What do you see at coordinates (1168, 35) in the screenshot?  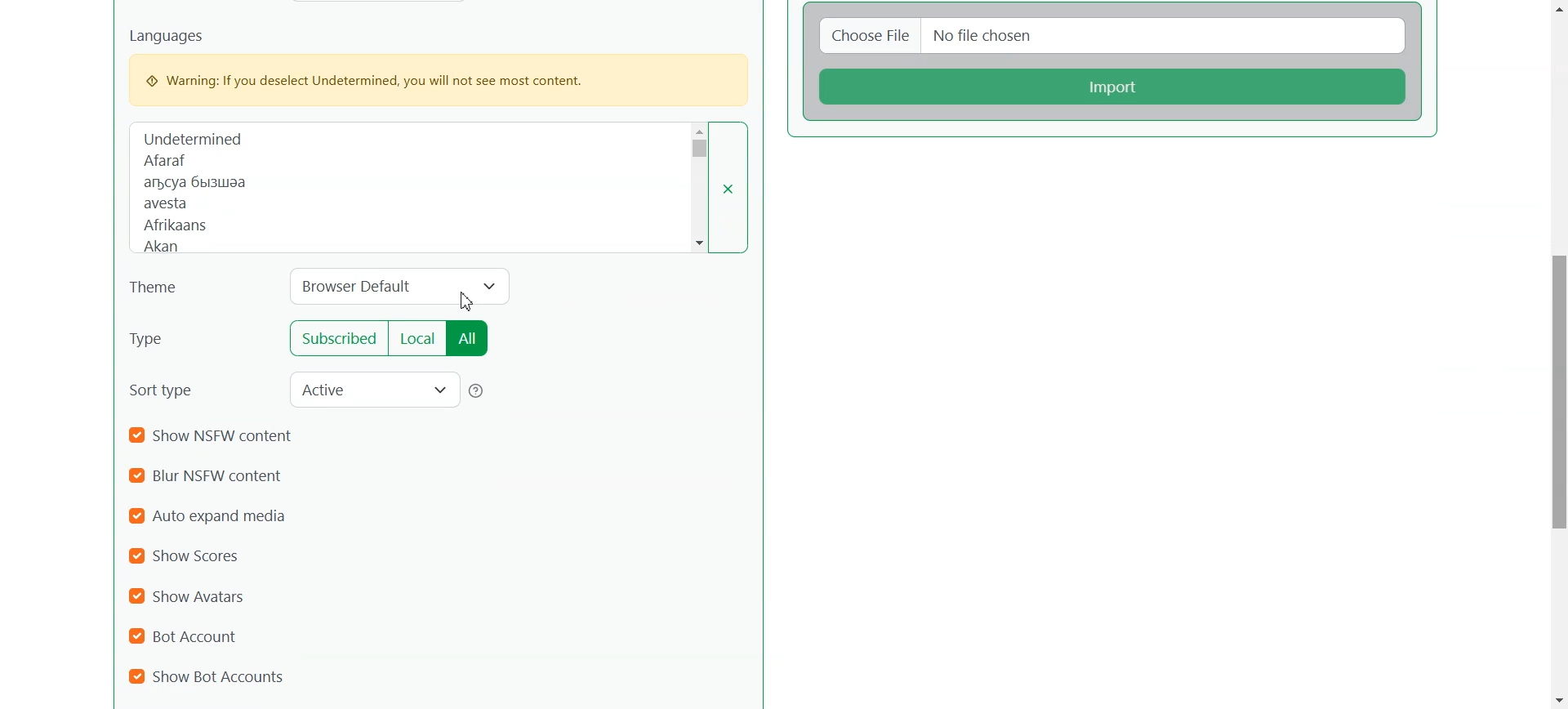 I see `no file chosen` at bounding box center [1168, 35].